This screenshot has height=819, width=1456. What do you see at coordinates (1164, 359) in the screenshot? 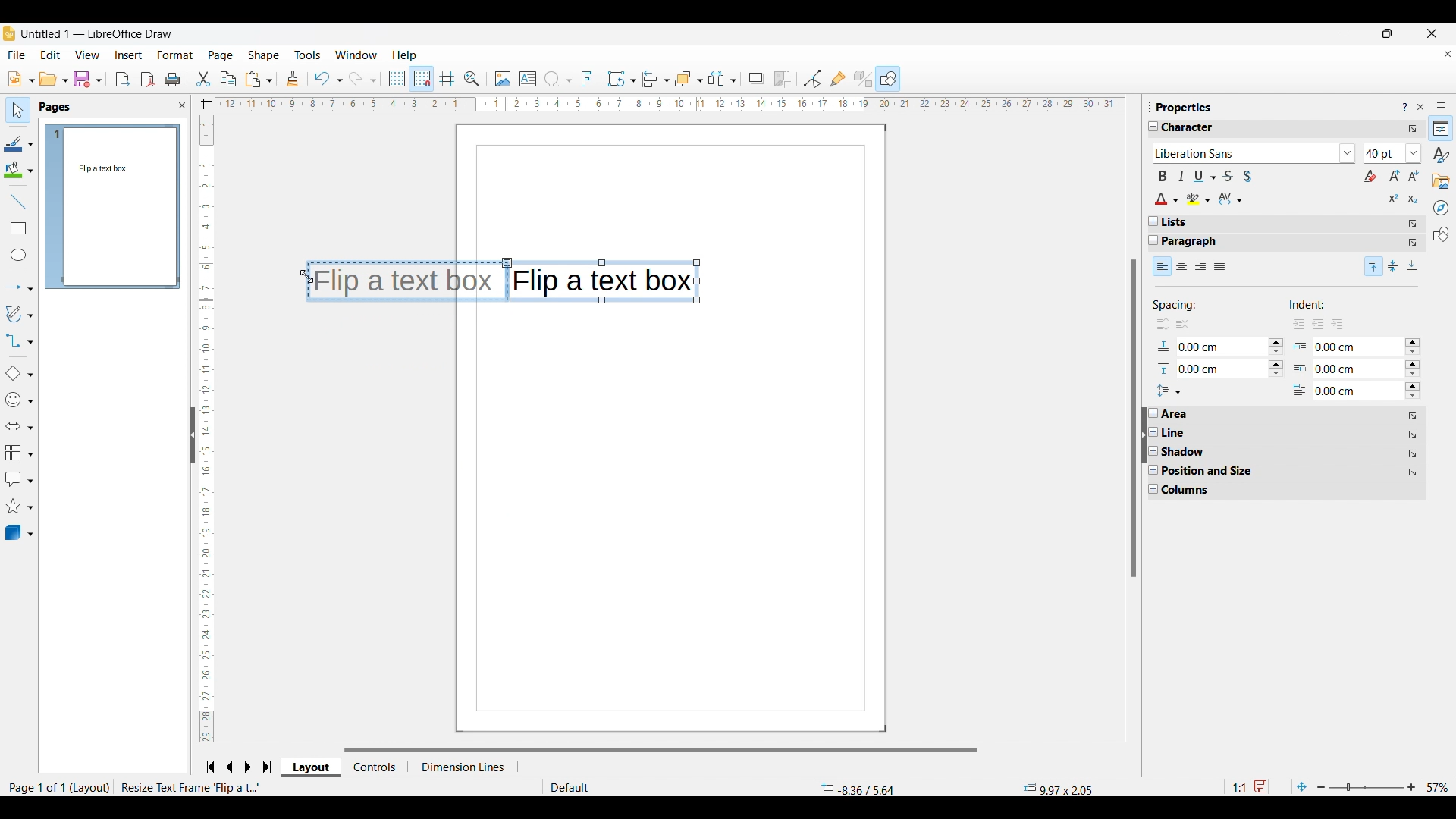
I see `Indicates input for respective spacing options` at bounding box center [1164, 359].